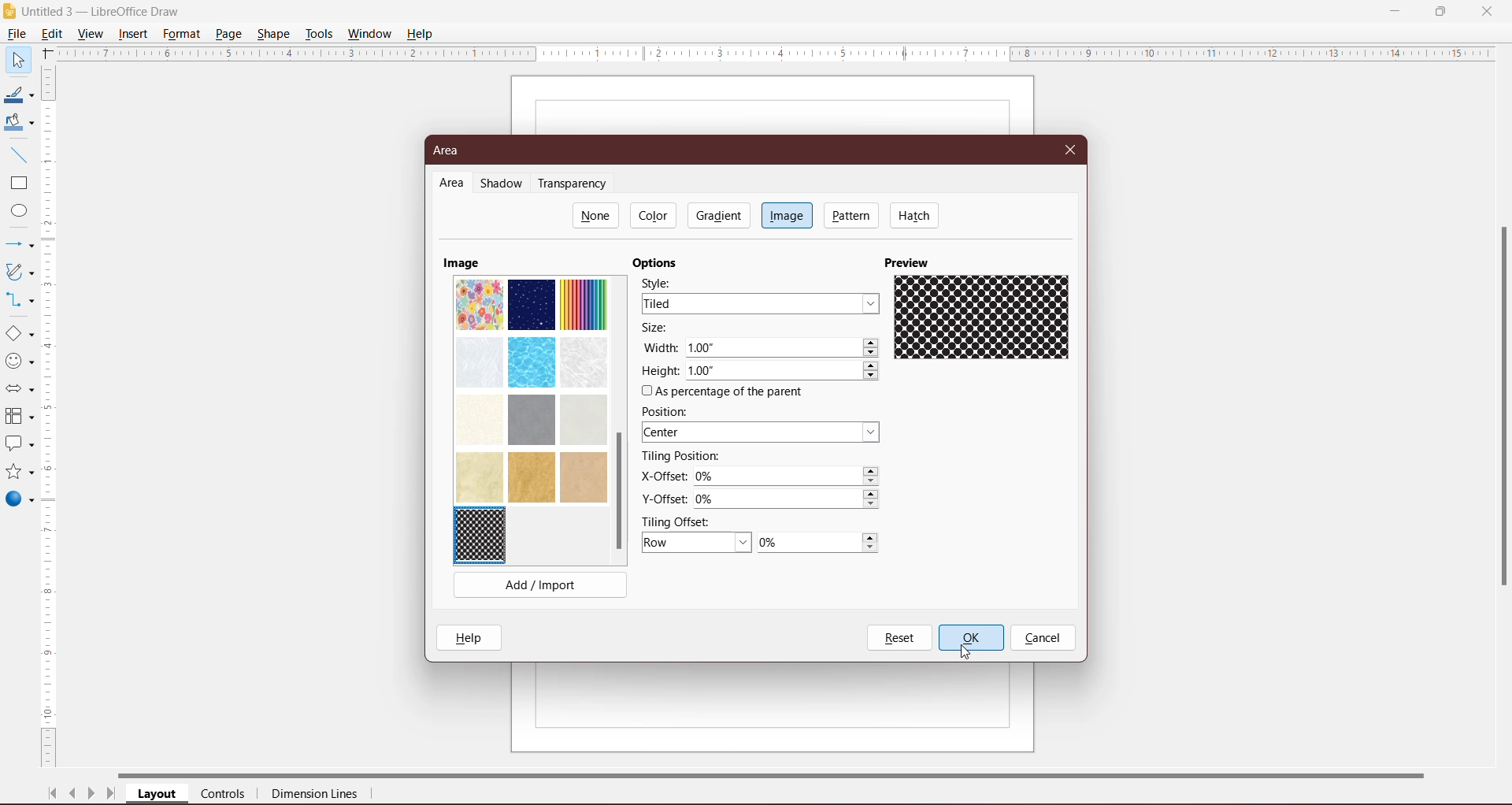 This screenshot has width=1512, height=805. Describe the element at coordinates (852, 215) in the screenshot. I see `Pattern` at that location.